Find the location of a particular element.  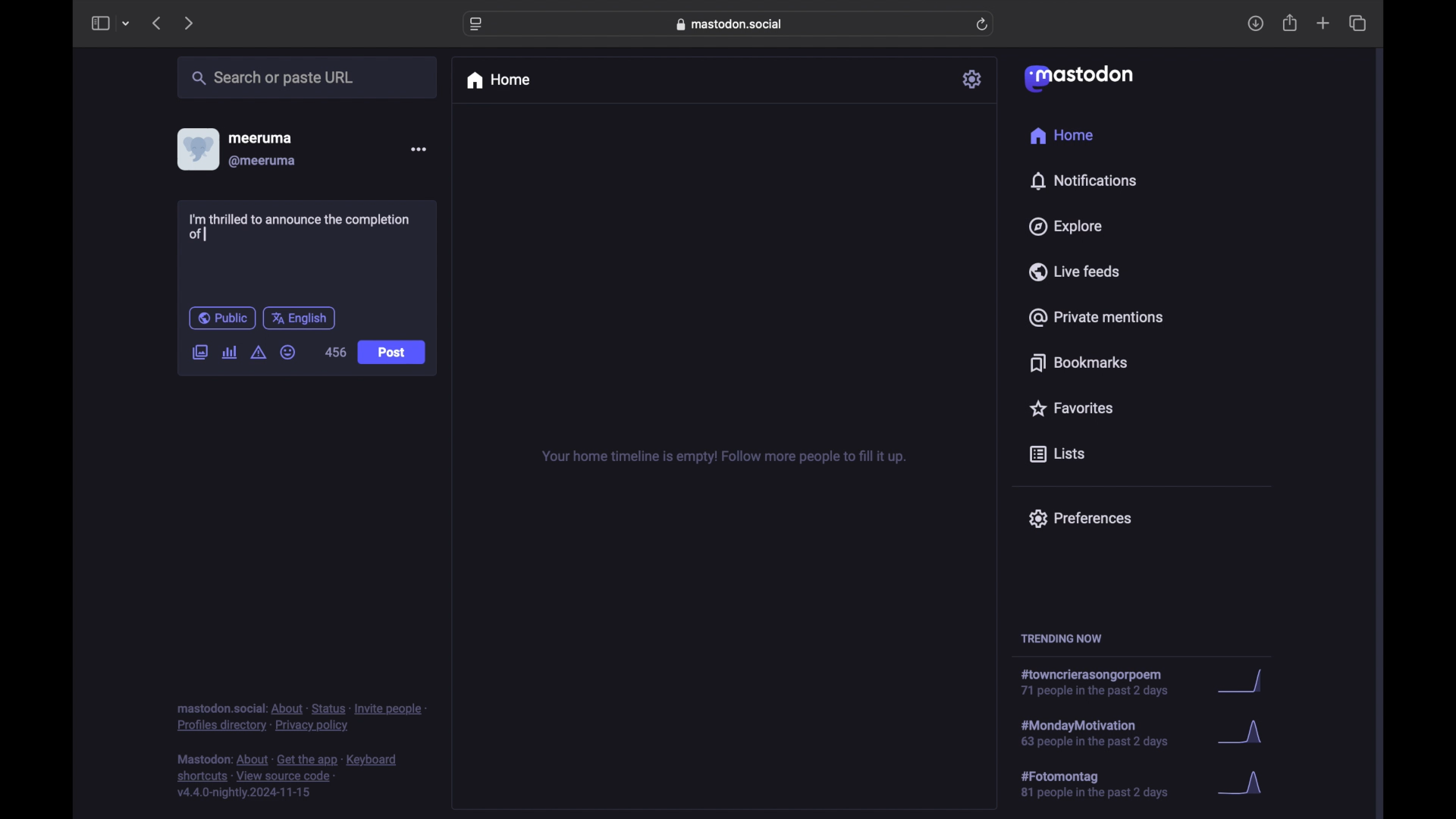

footnote is located at coordinates (287, 777).